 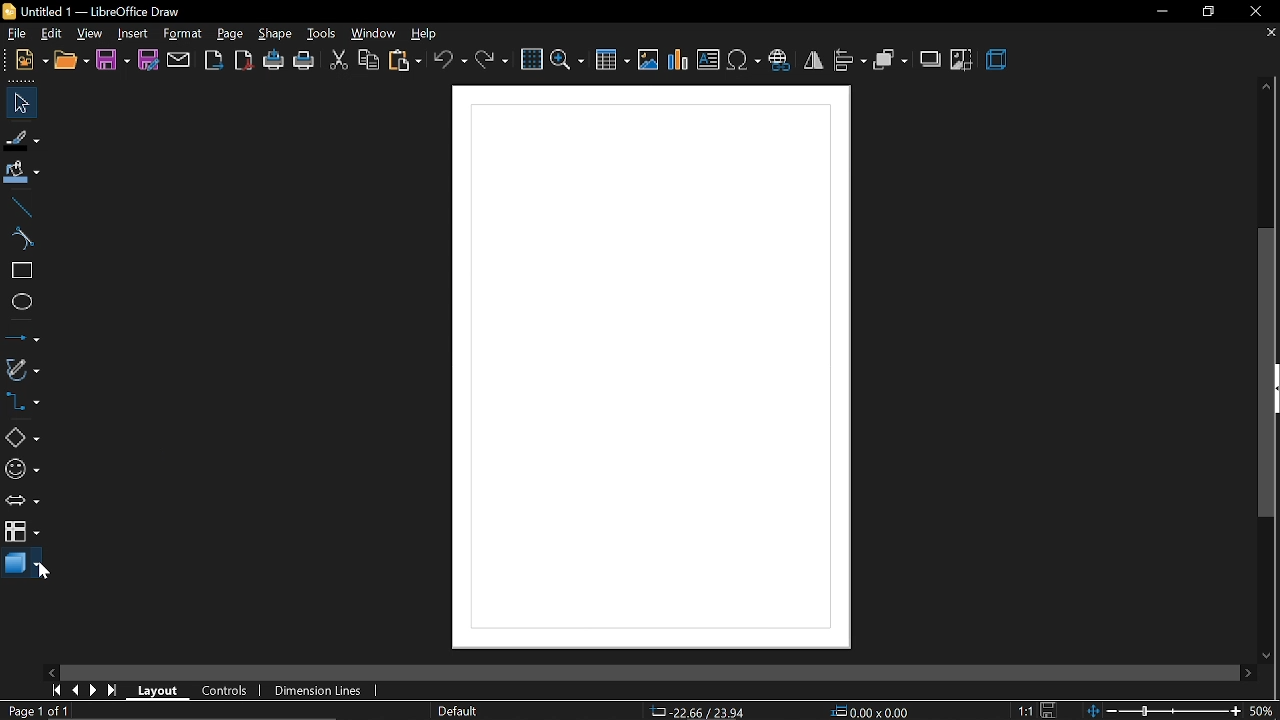 I want to click on insert table, so click(x=612, y=61).